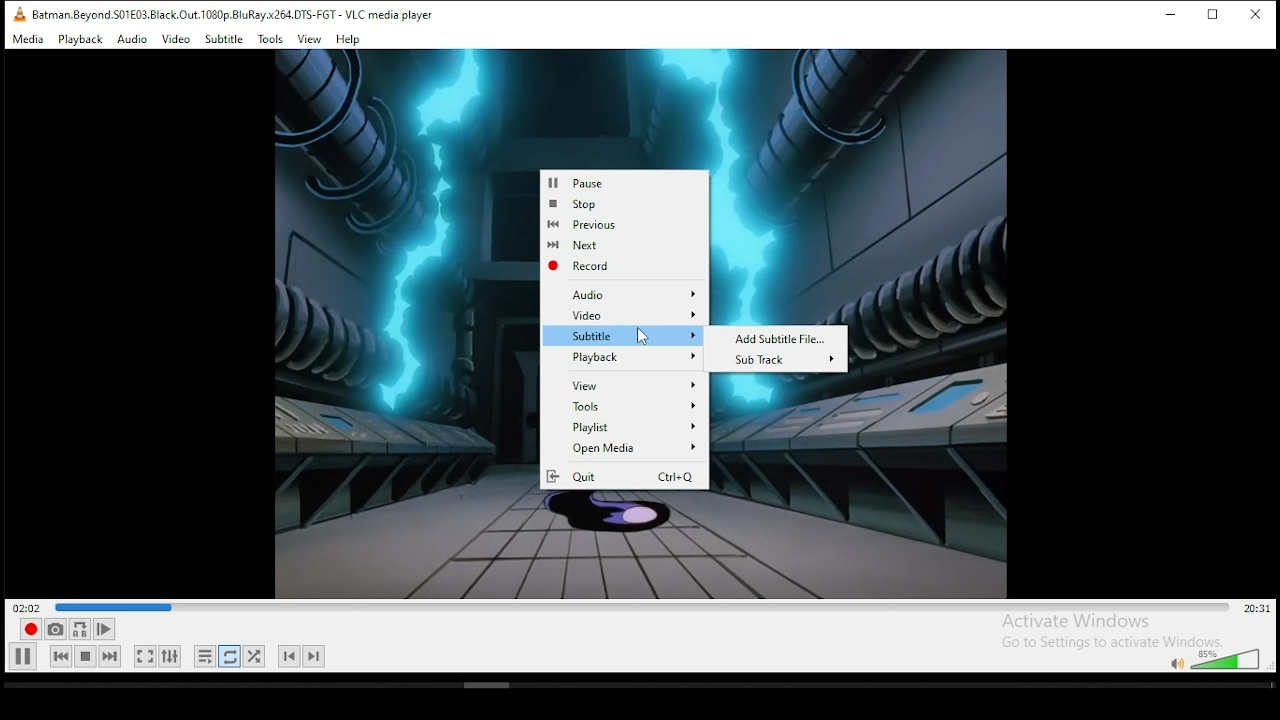  Describe the element at coordinates (23, 657) in the screenshot. I see `play/pause` at that location.